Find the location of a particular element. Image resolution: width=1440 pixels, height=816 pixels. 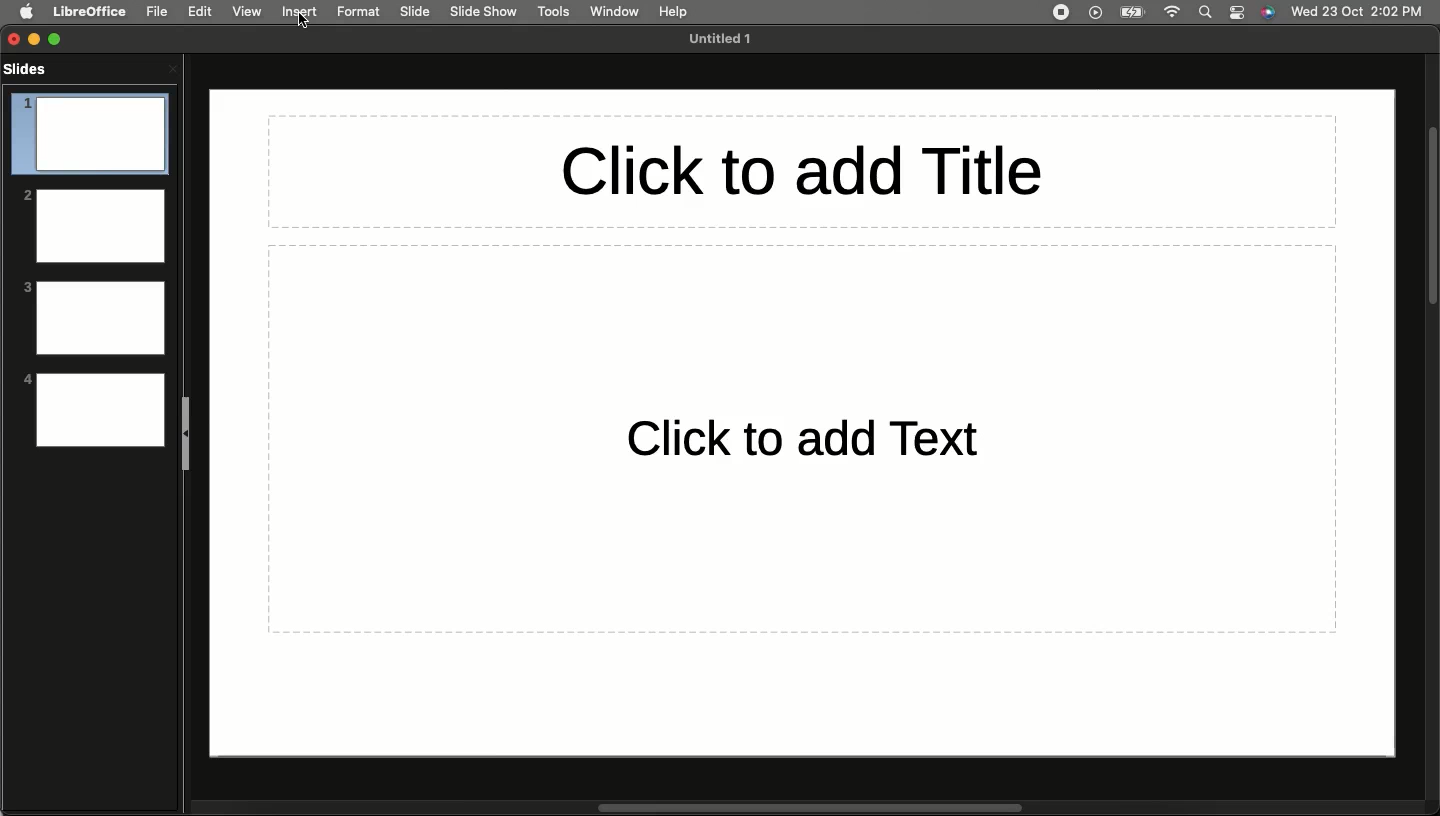

Apple logo is located at coordinates (27, 12).